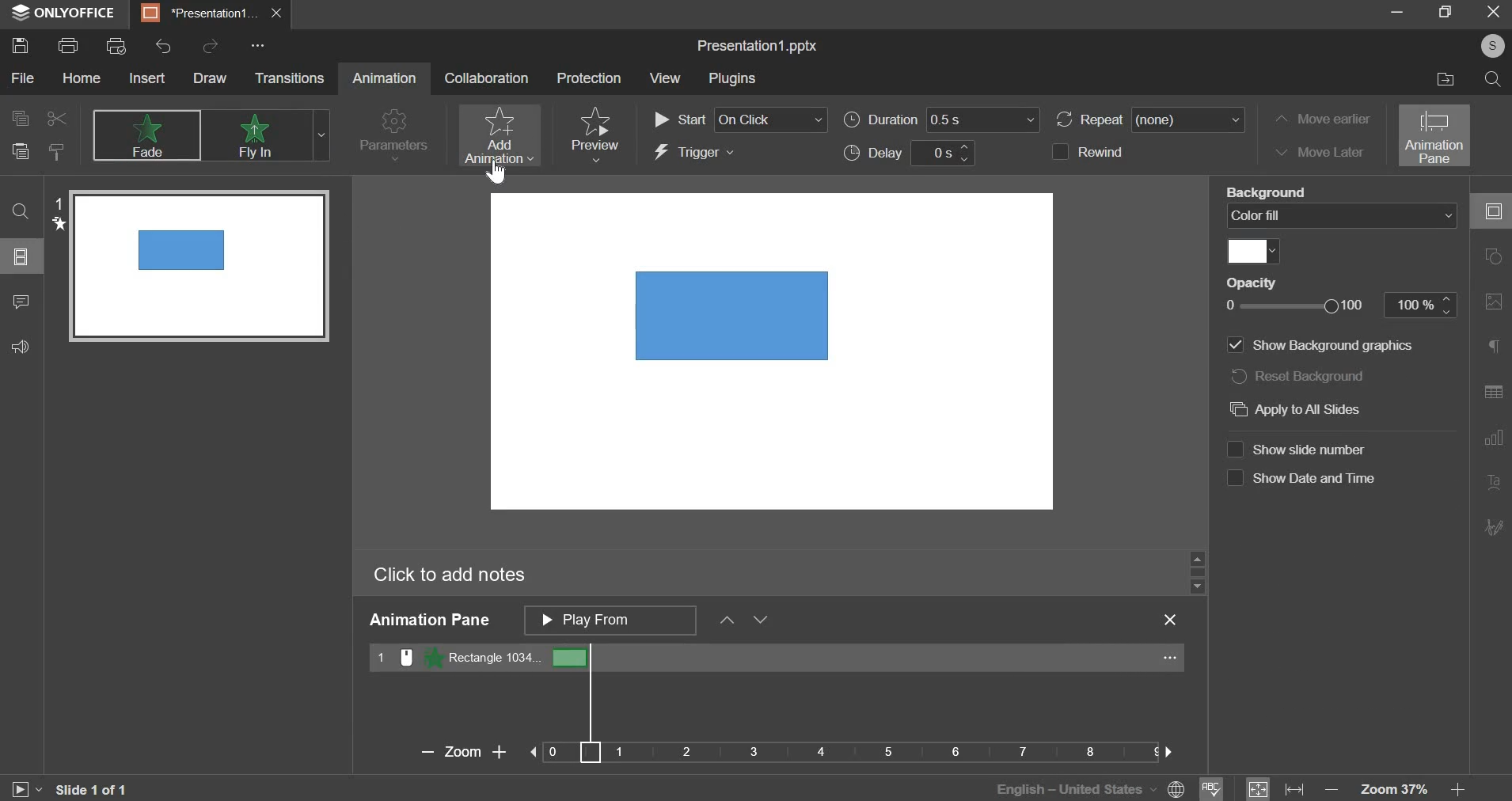 The width and height of the screenshot is (1512, 801). Describe the element at coordinates (1303, 477) in the screenshot. I see `Show date and time` at that location.